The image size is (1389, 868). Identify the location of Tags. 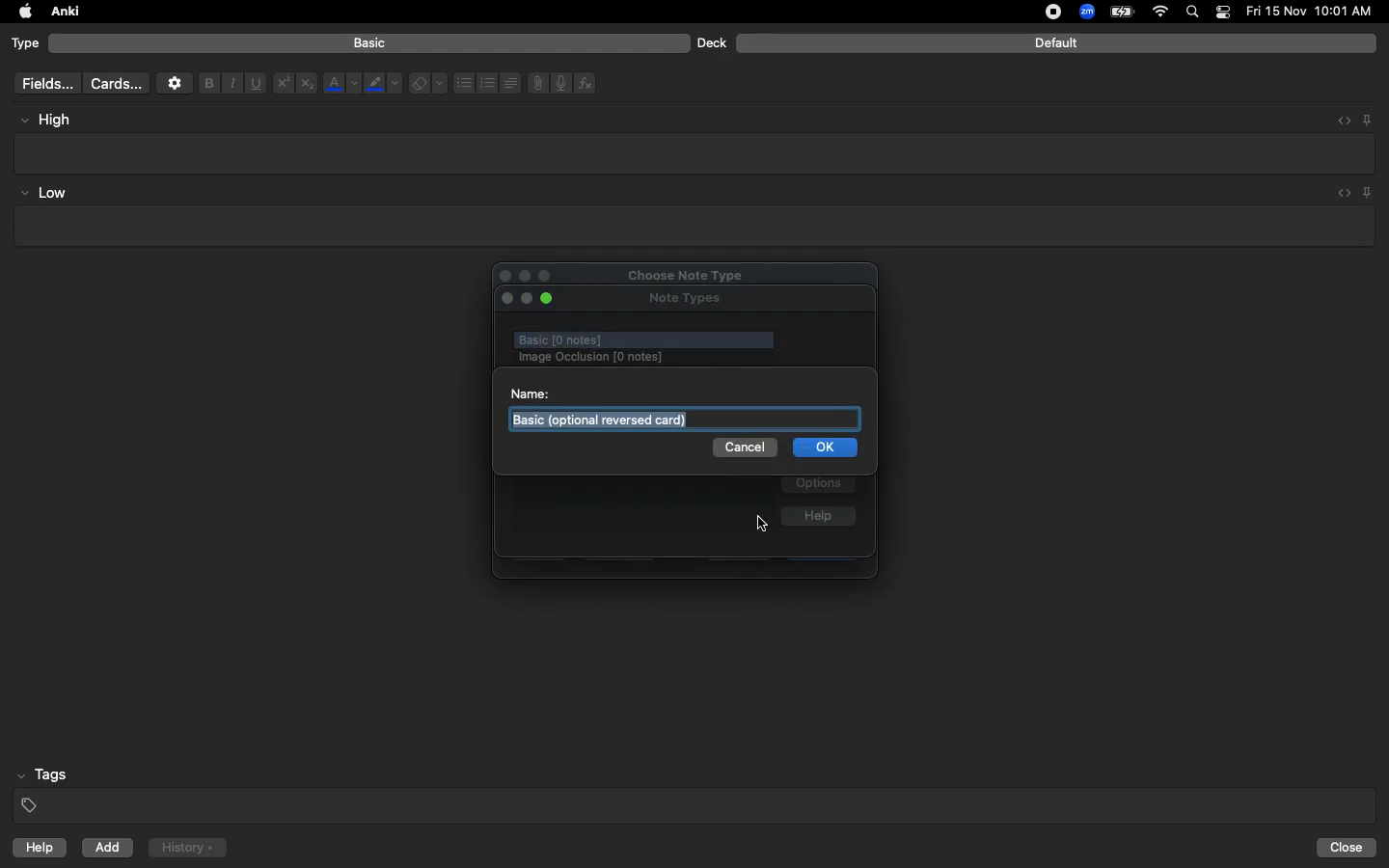
(696, 791).